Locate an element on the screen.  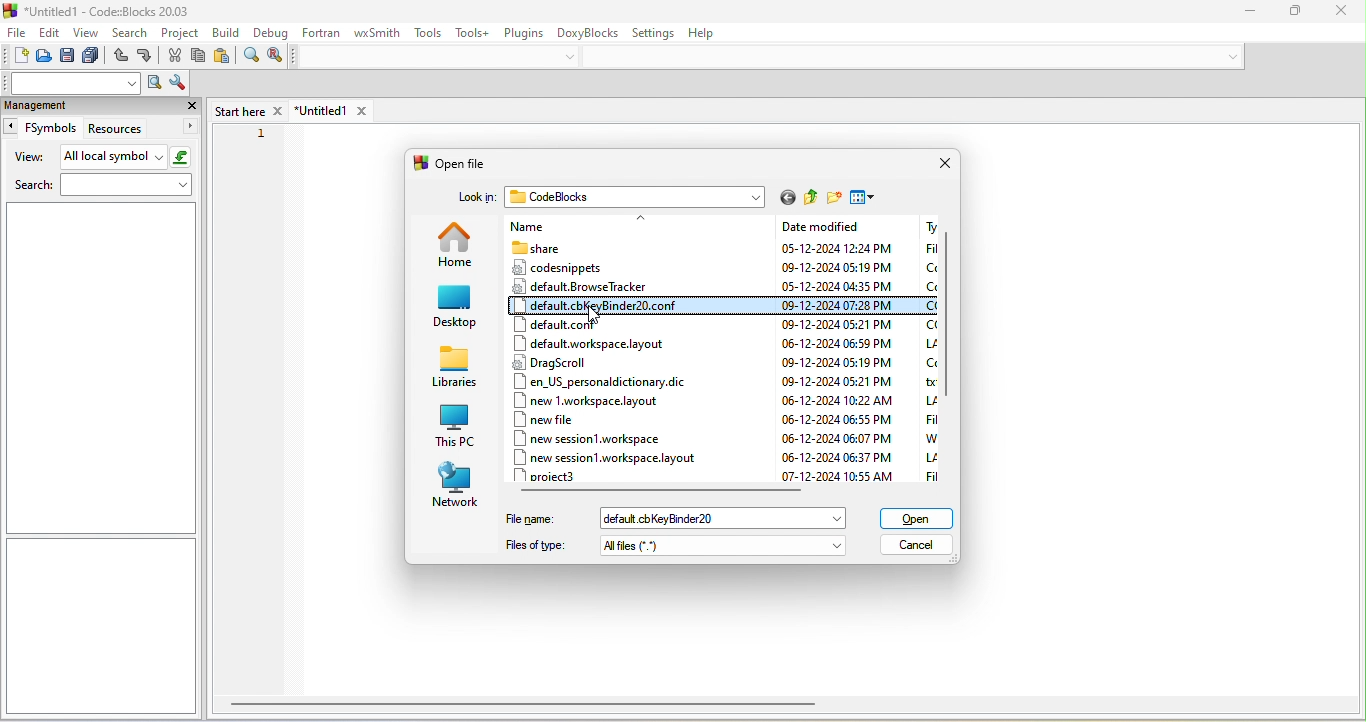
sidebar is located at coordinates (99, 368).